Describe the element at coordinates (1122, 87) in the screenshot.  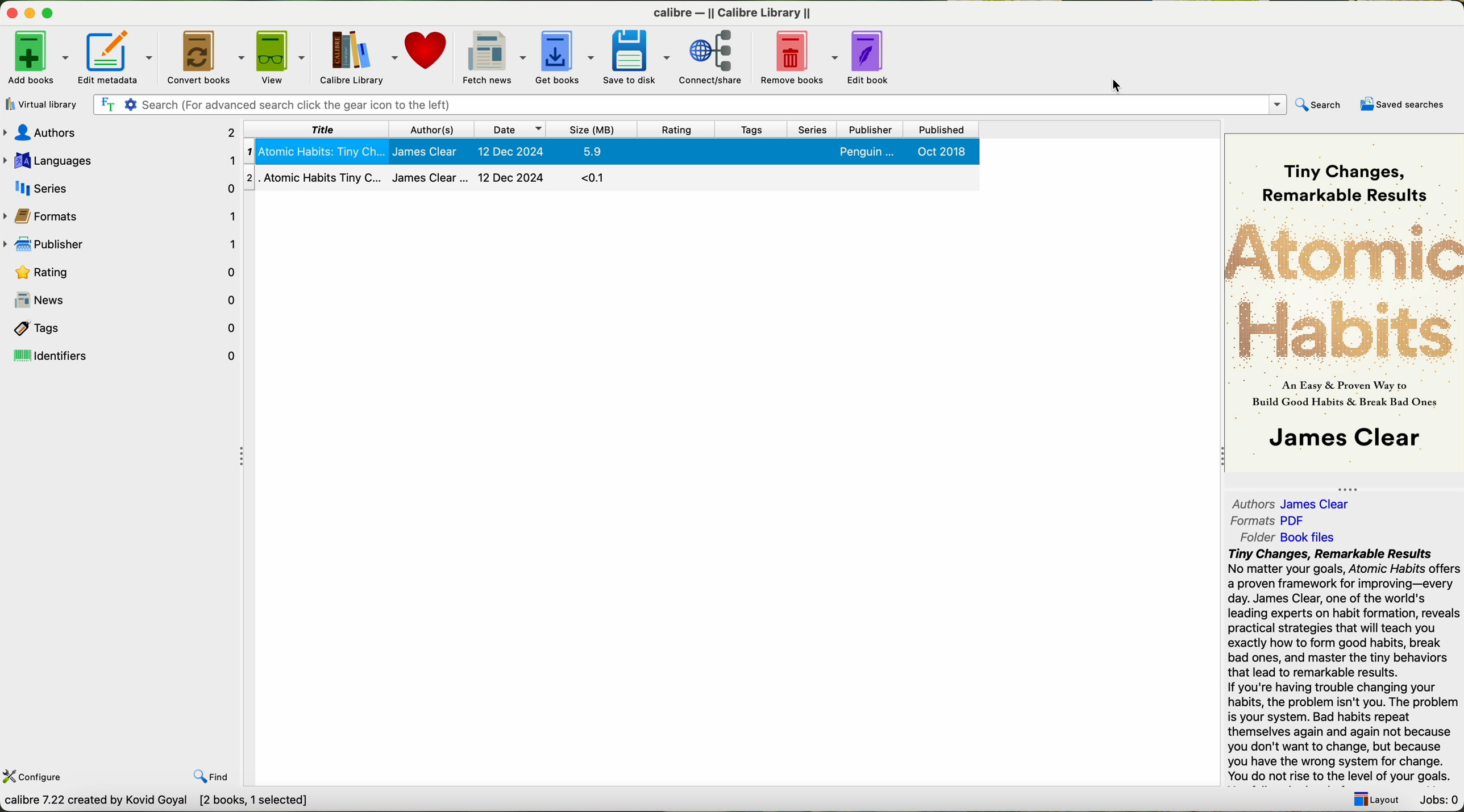
I see `cursor` at that location.